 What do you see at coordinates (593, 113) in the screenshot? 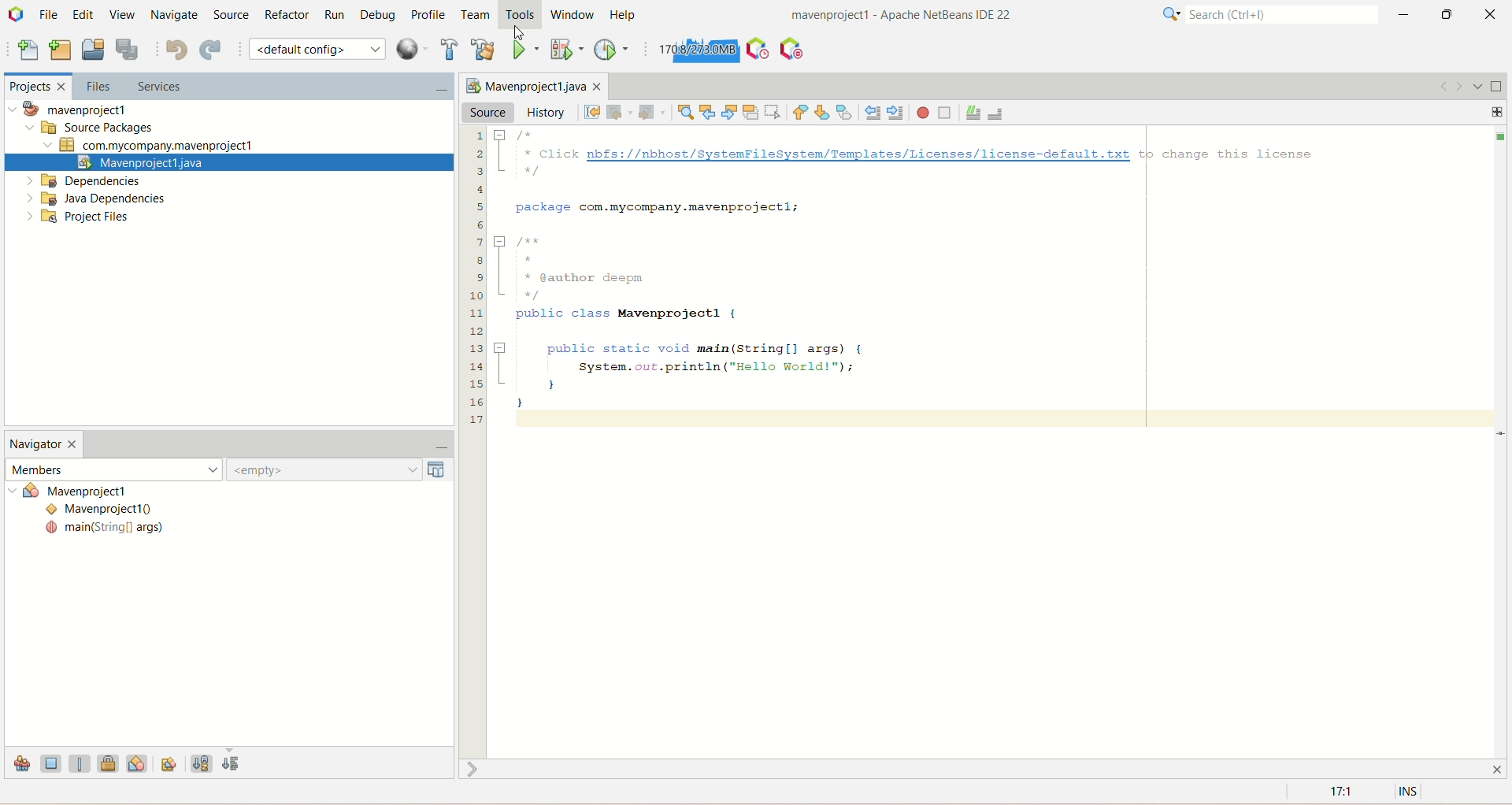
I see `last edit` at bounding box center [593, 113].